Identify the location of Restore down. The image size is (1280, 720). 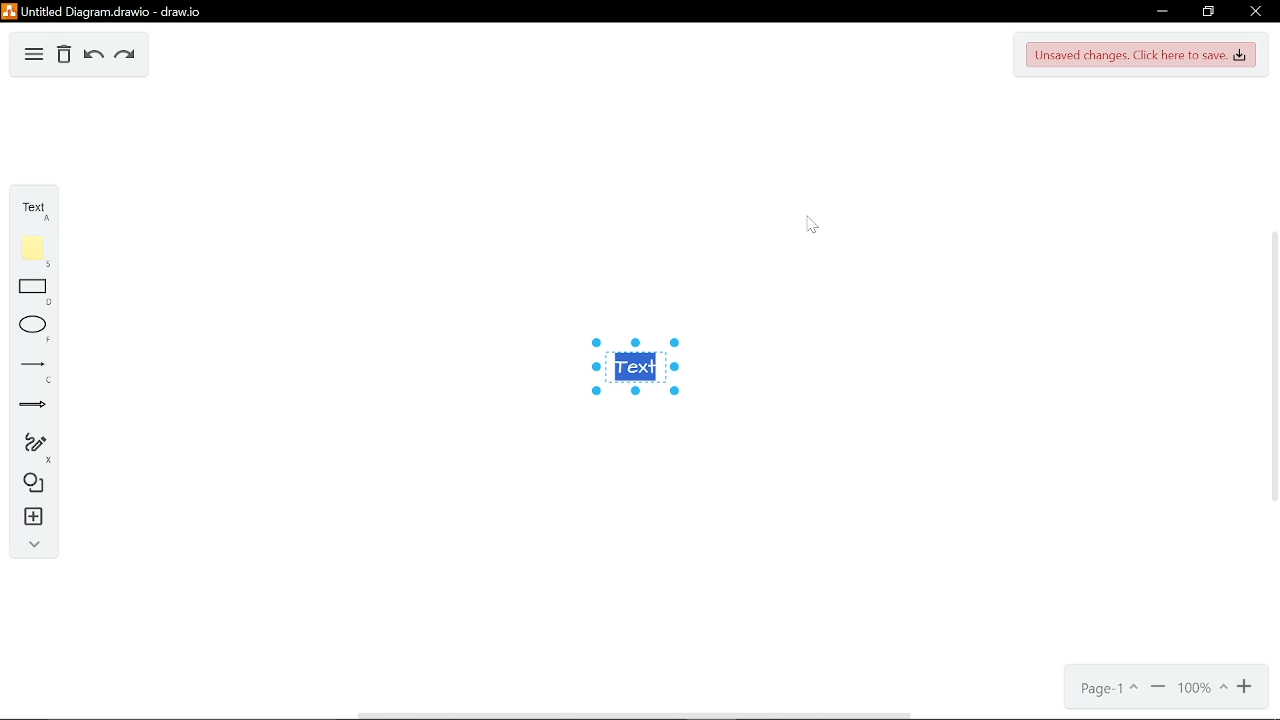
(1208, 13).